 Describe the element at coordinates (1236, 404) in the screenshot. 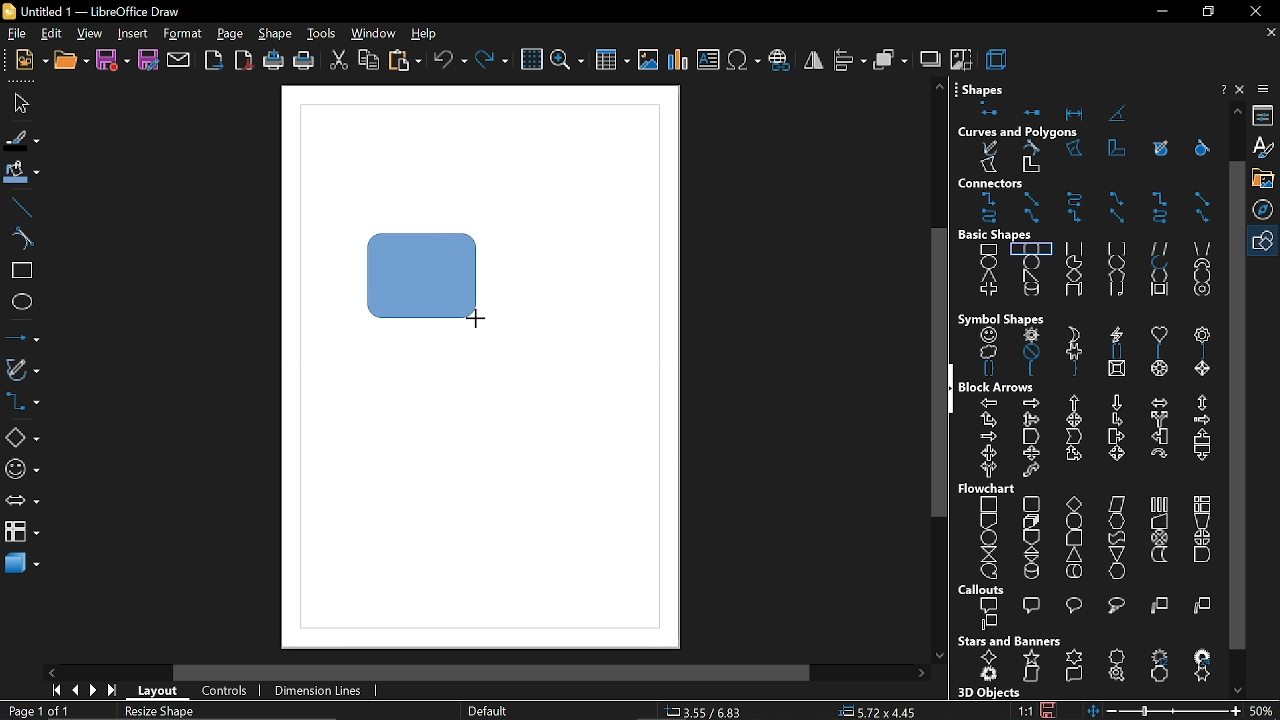

I see `vertical scrollbar` at that location.